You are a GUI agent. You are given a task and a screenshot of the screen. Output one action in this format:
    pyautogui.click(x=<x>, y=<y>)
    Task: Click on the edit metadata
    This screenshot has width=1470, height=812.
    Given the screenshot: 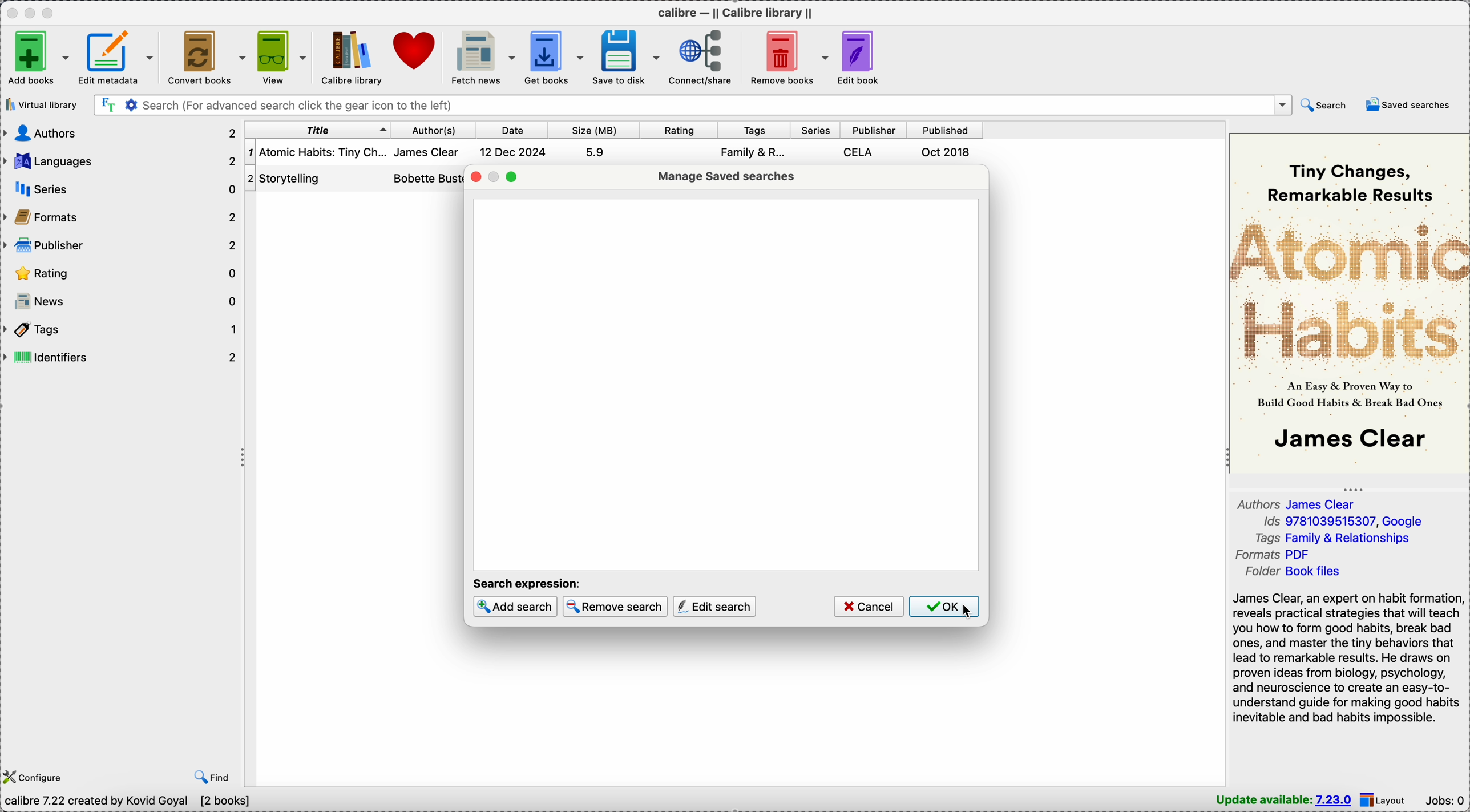 What is the action you would take?
    pyautogui.click(x=116, y=58)
    